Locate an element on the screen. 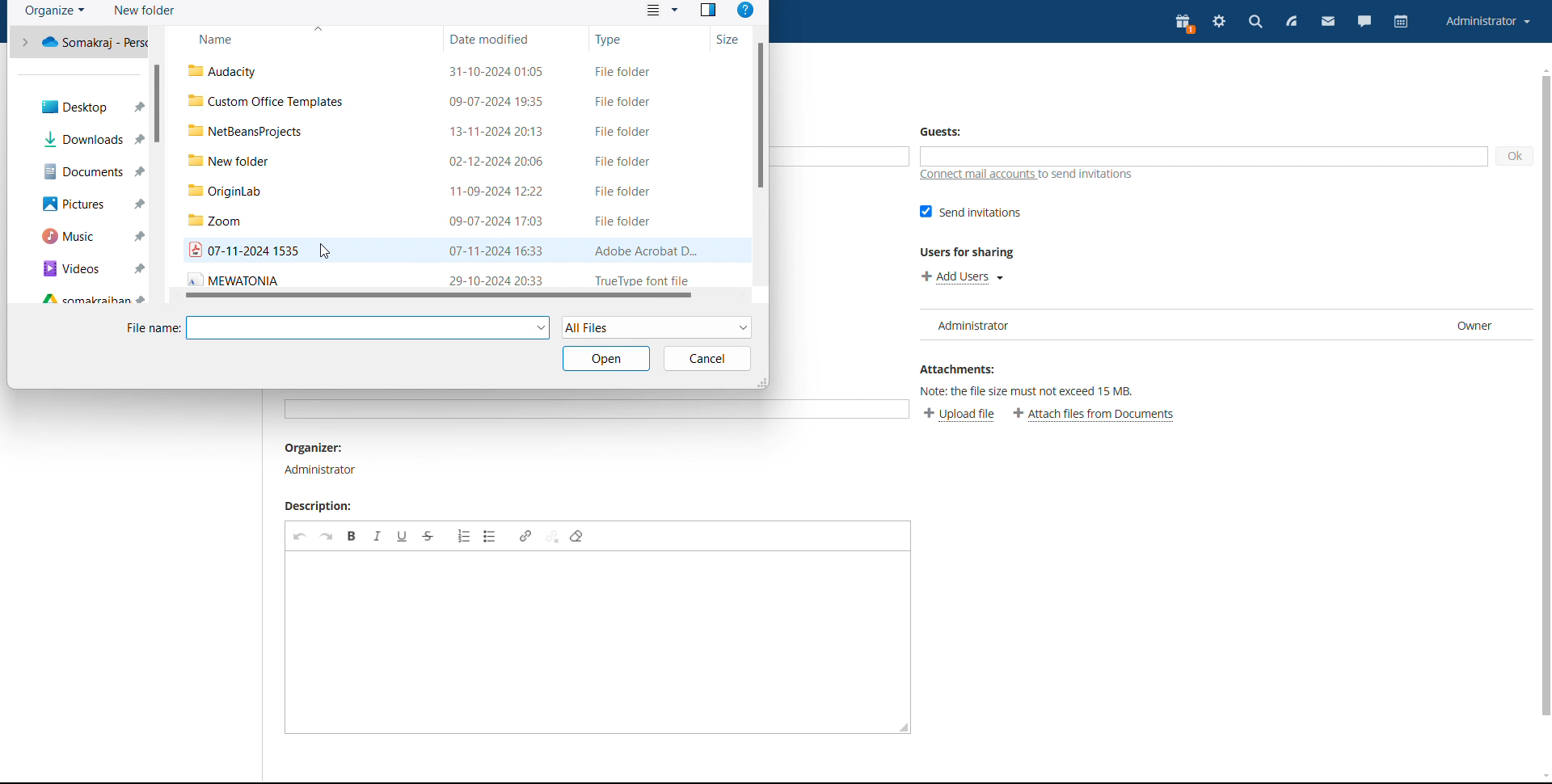 This screenshot has height=784, width=1552.  is located at coordinates (94, 267).